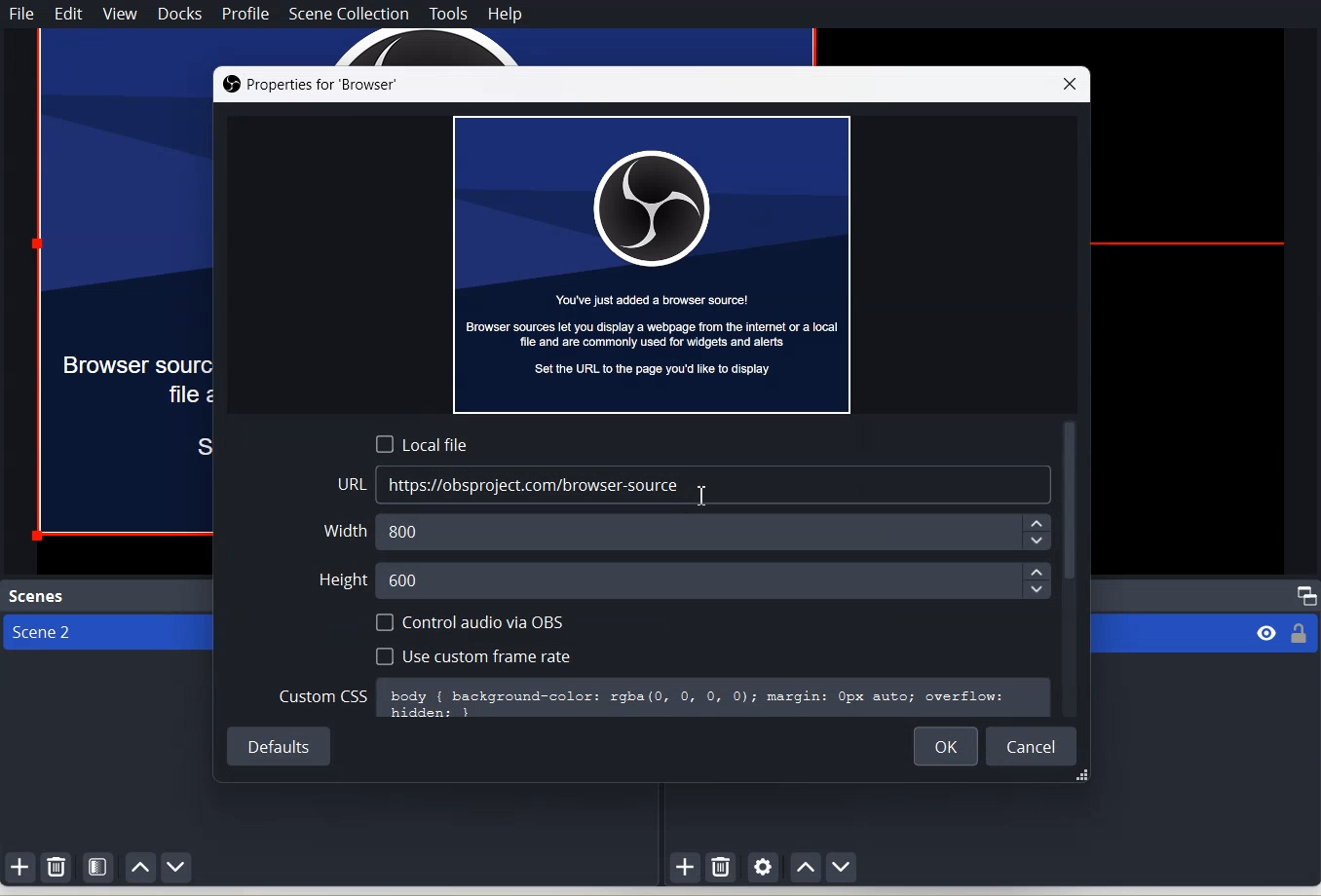  I want to click on Height, so click(337, 577).